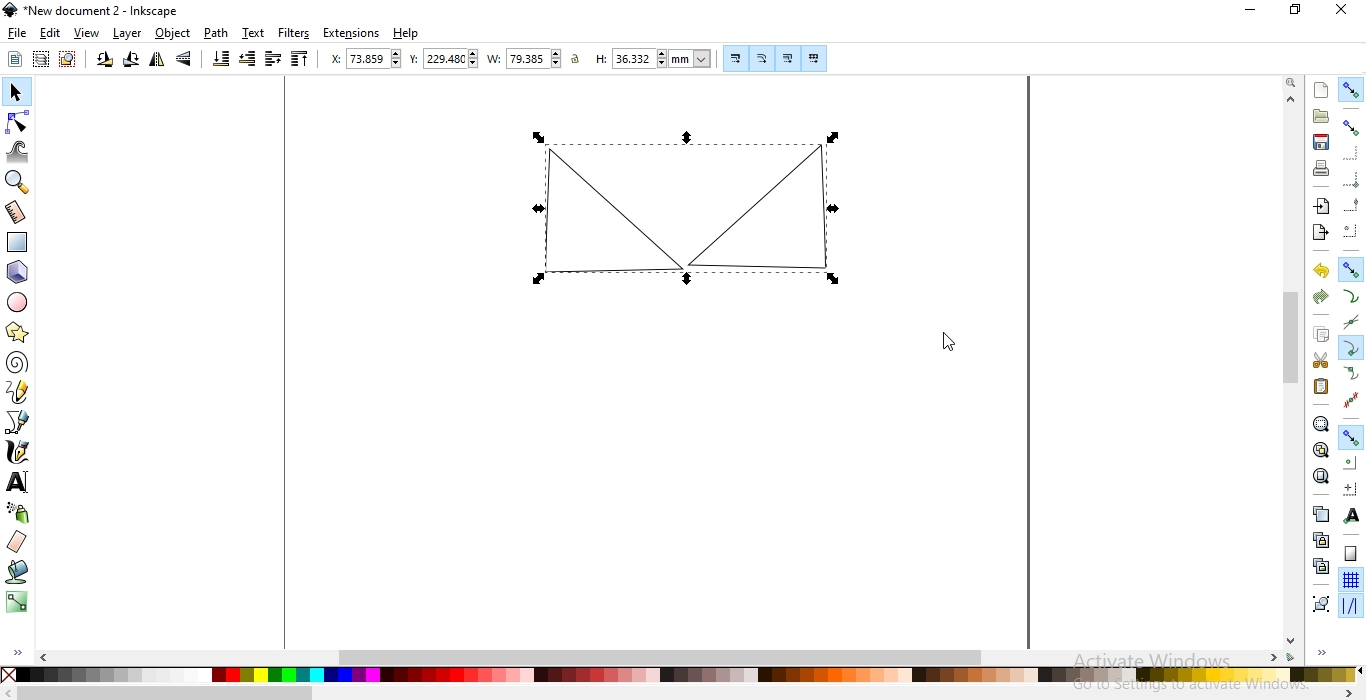  Describe the element at coordinates (67, 60) in the screenshot. I see `deselect any selected objects or nodes` at that location.